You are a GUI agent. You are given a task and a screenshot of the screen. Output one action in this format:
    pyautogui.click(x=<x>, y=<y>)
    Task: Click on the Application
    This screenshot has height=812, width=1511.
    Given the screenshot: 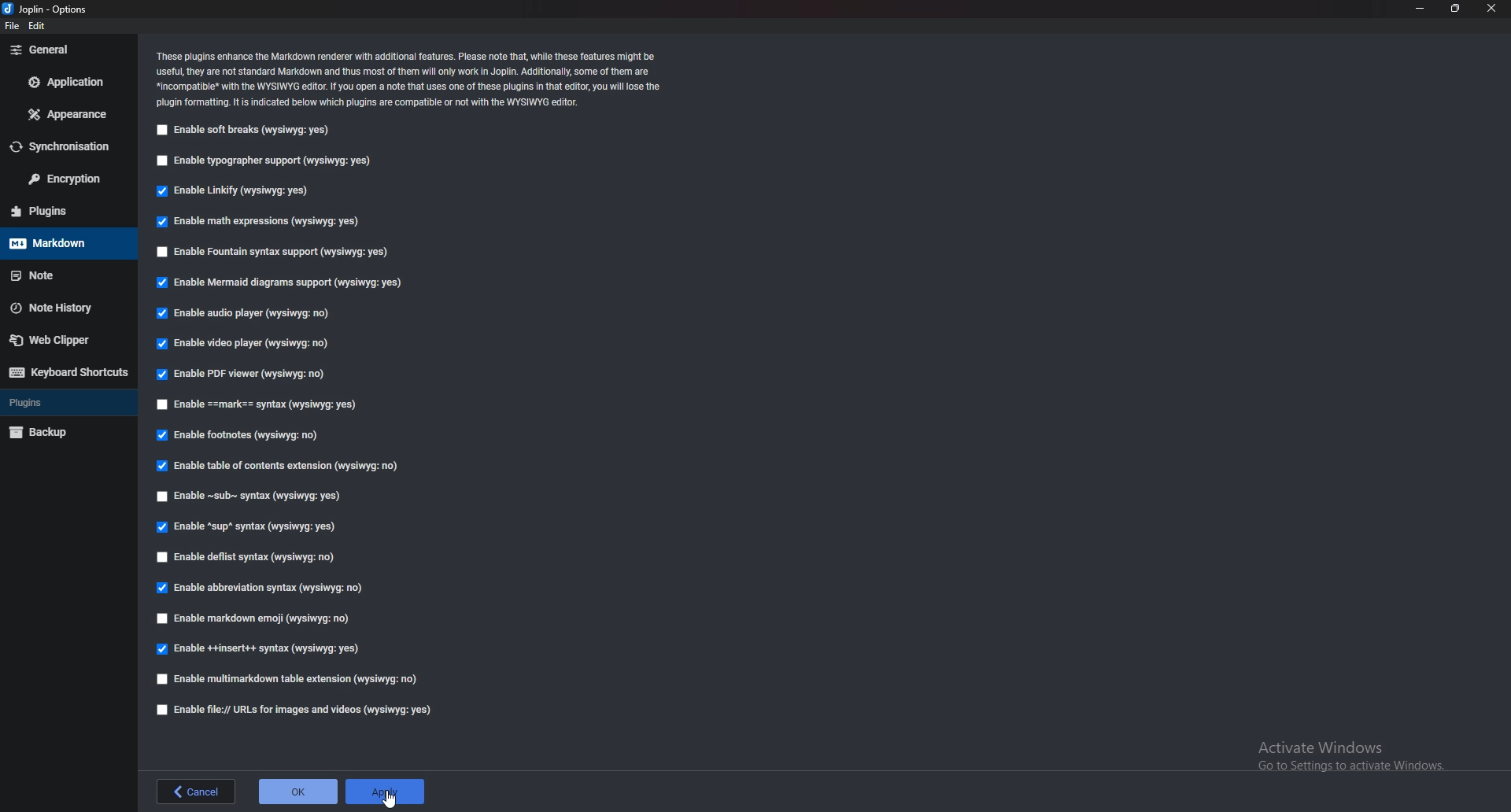 What is the action you would take?
    pyautogui.click(x=67, y=83)
    